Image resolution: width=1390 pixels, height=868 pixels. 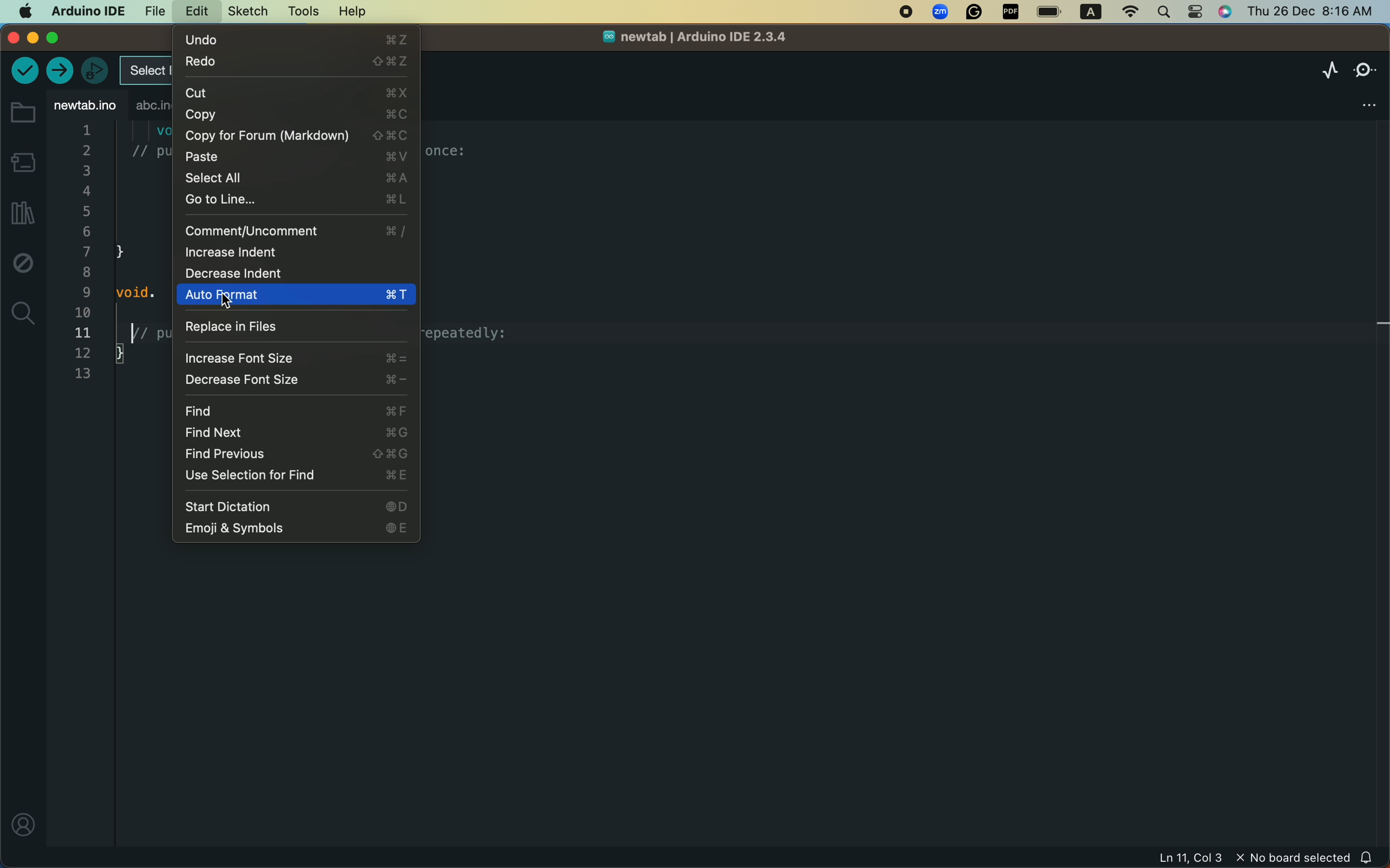 What do you see at coordinates (289, 253) in the screenshot?
I see `increase` at bounding box center [289, 253].